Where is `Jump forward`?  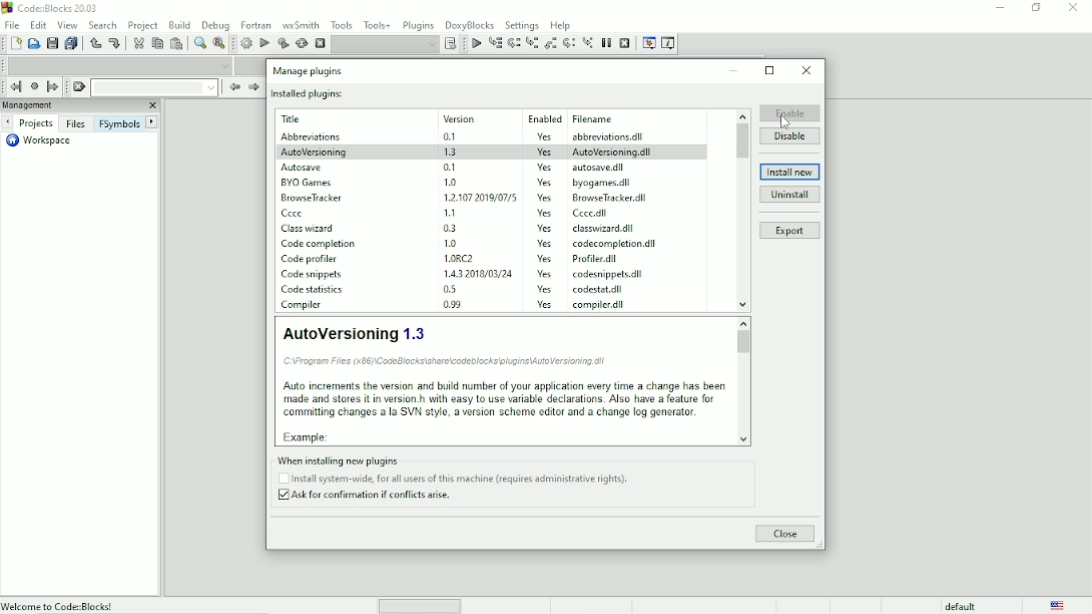
Jump forward is located at coordinates (53, 88).